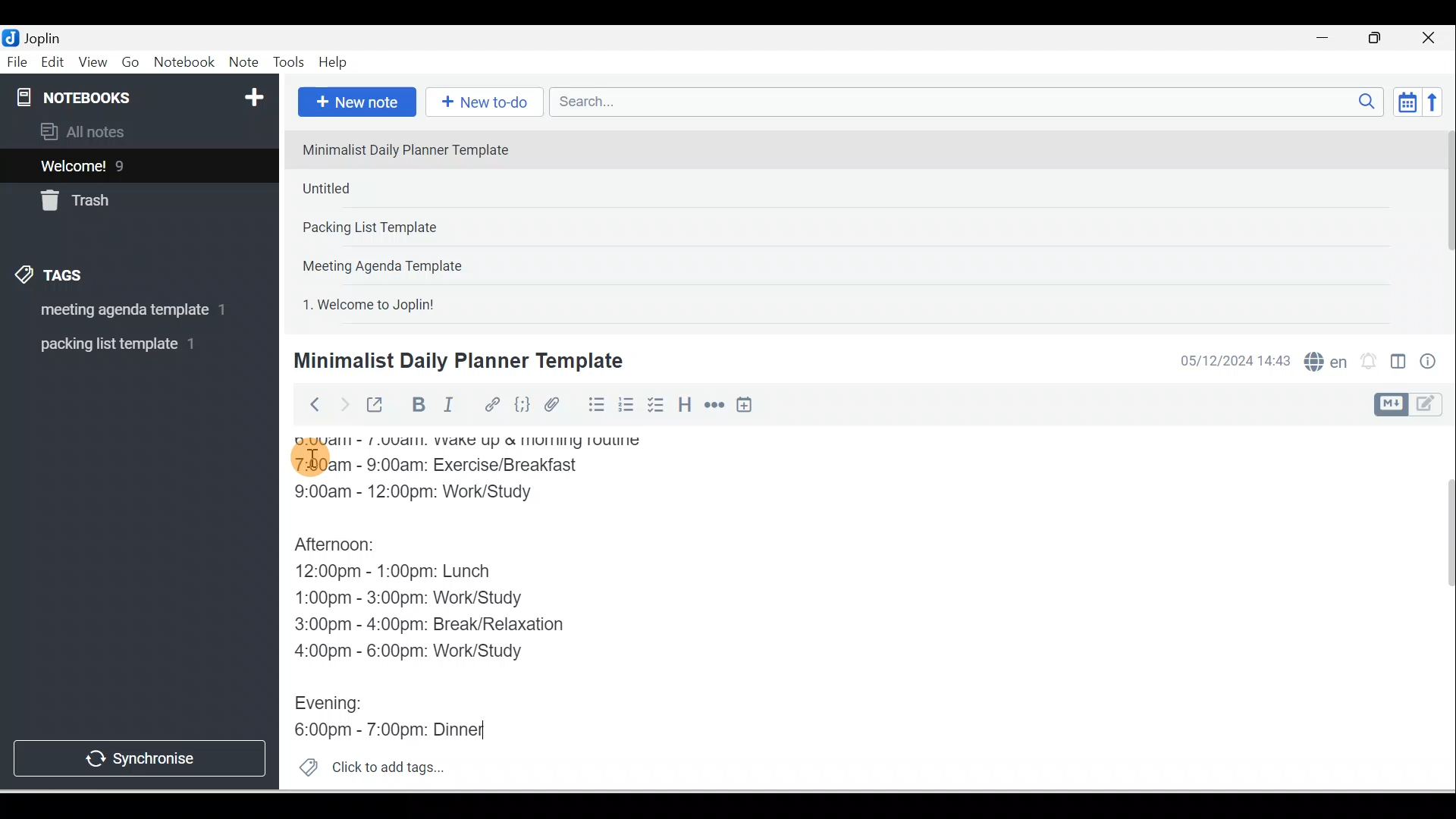 Image resolution: width=1456 pixels, height=819 pixels. What do you see at coordinates (18, 61) in the screenshot?
I see `File` at bounding box center [18, 61].